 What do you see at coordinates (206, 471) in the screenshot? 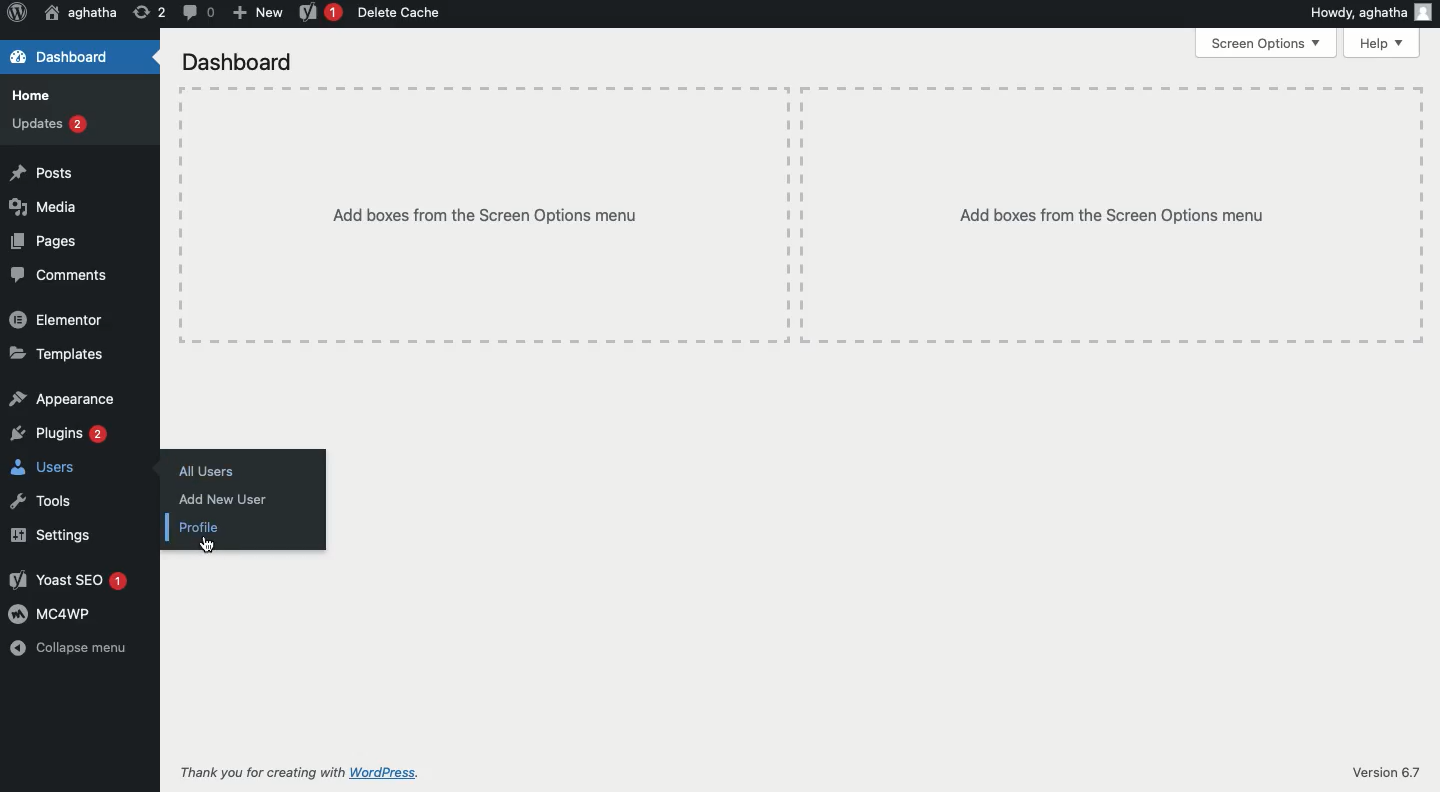
I see `All users` at bounding box center [206, 471].